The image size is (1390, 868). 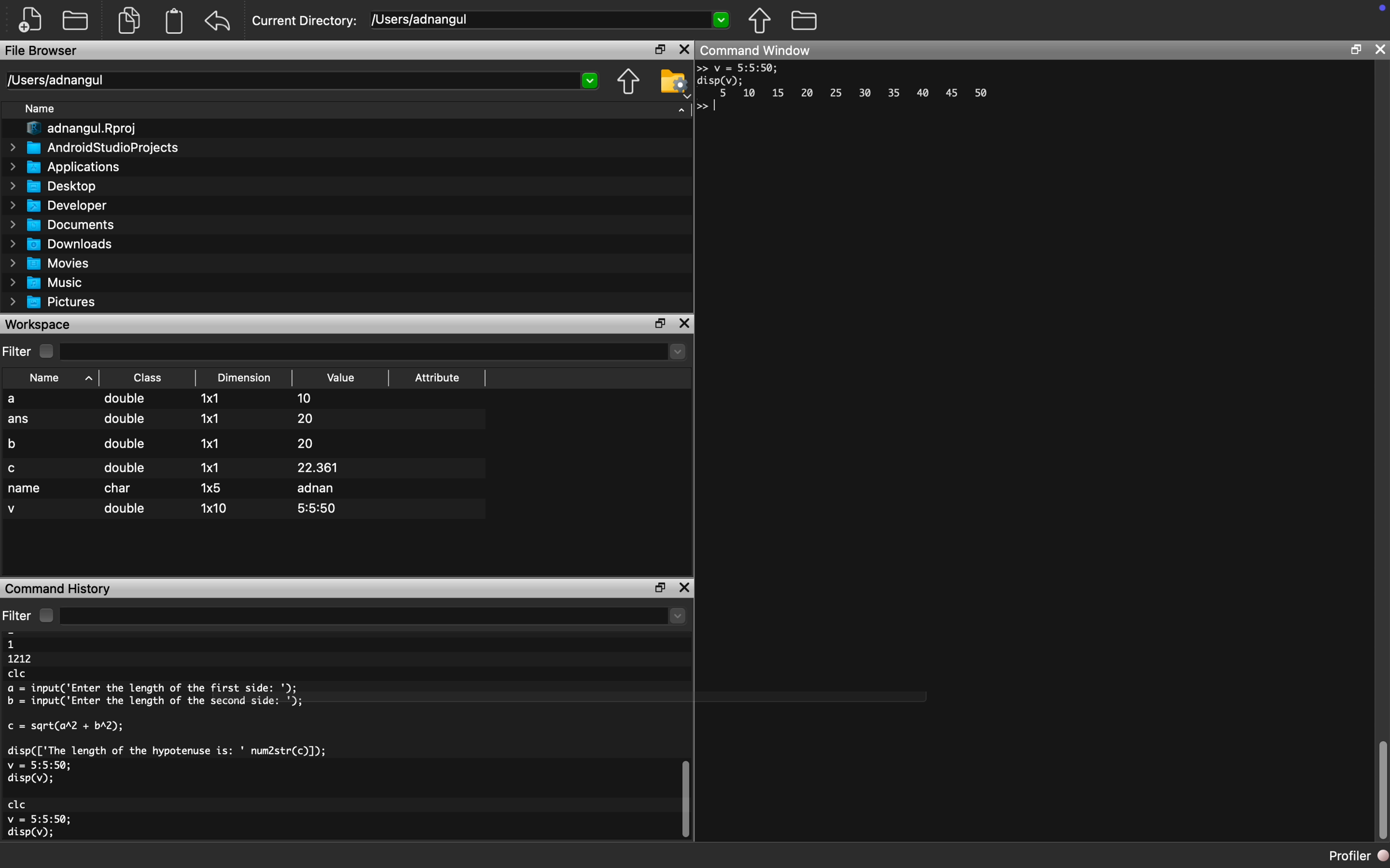 I want to click on 20, so click(x=306, y=443).